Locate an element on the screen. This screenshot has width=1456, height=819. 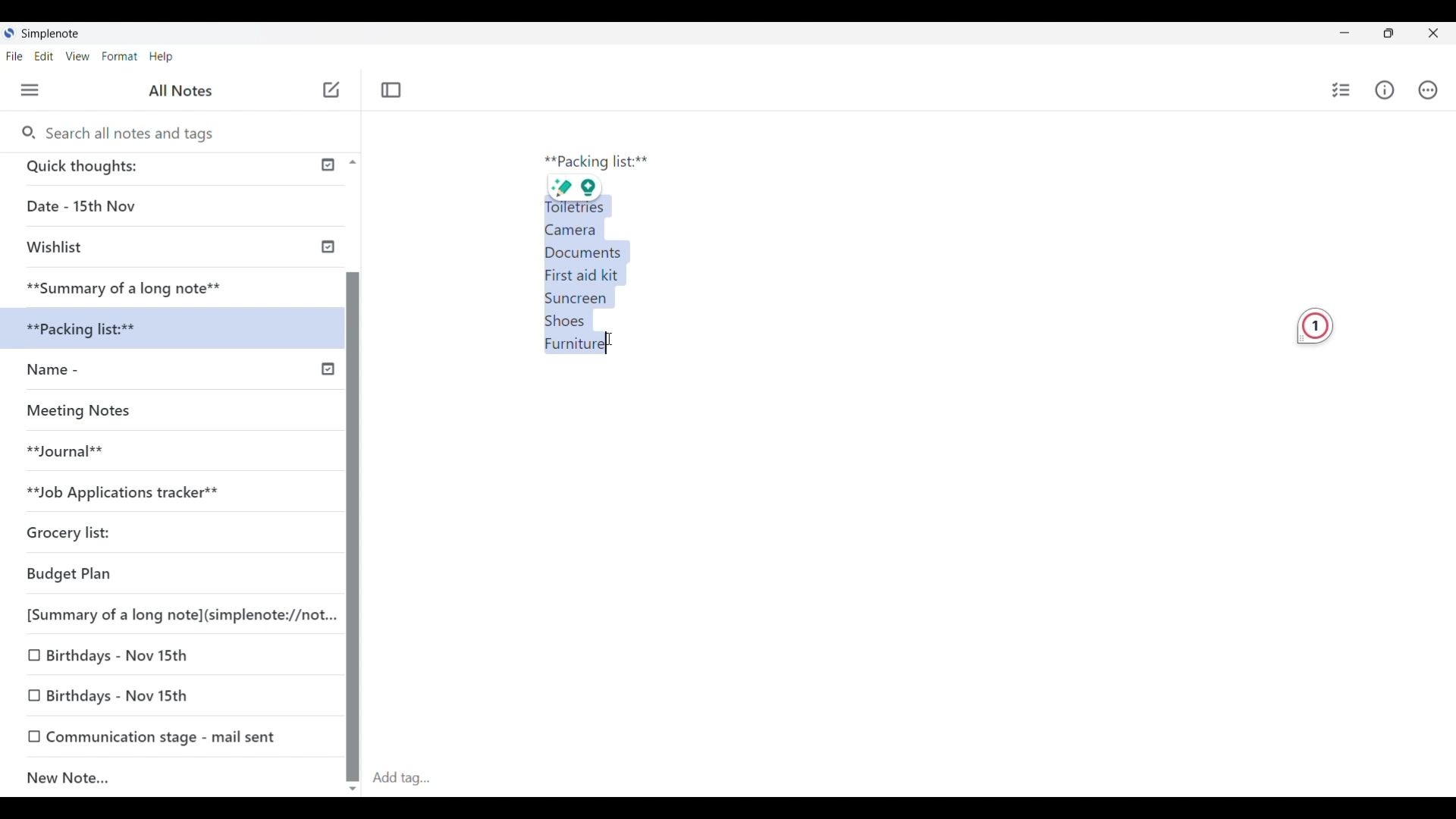
Software logo is located at coordinates (8, 33).